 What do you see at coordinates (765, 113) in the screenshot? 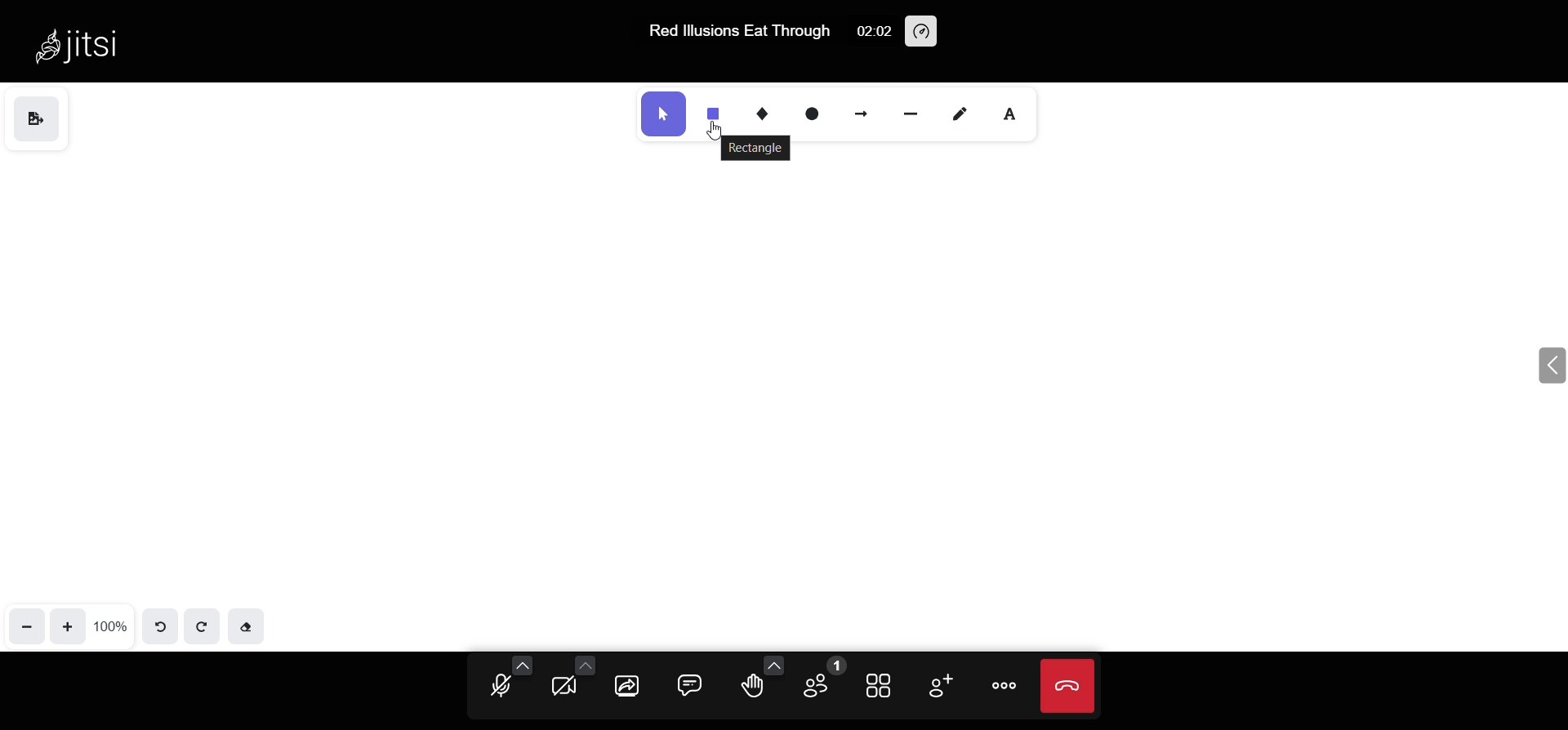
I see `diamond` at bounding box center [765, 113].